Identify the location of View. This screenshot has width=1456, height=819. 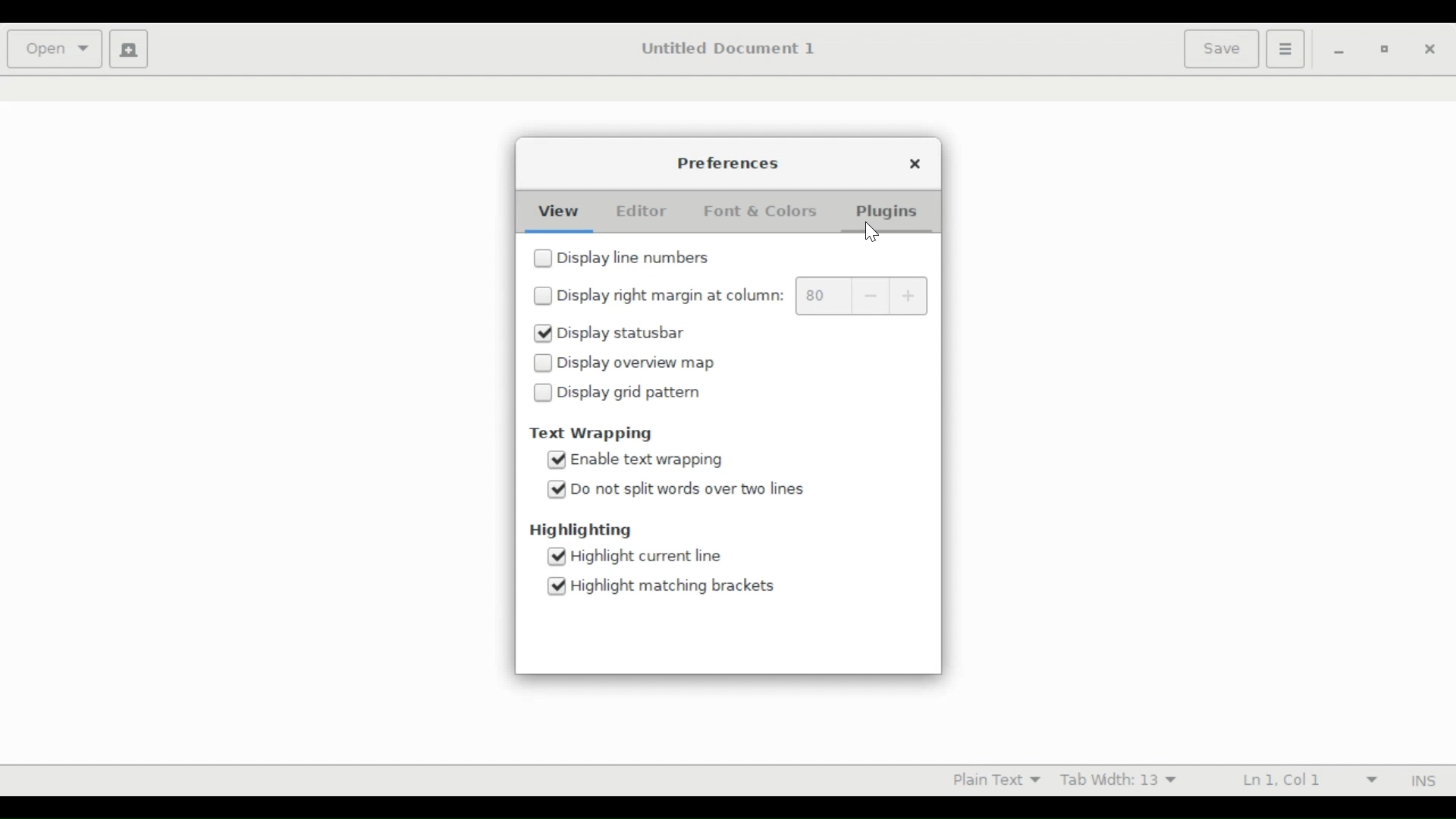
(554, 212).